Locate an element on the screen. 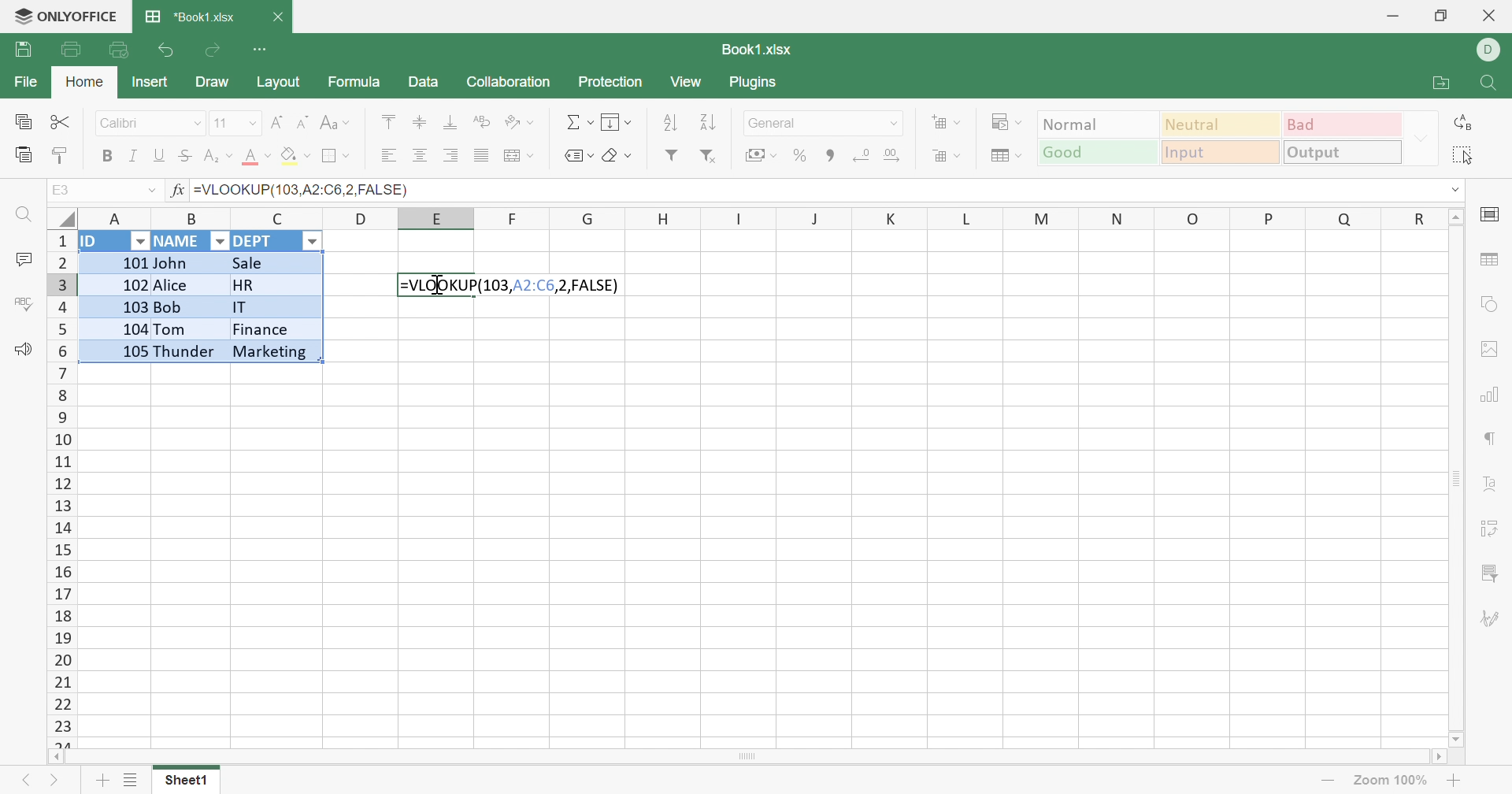  Check Spelling is located at coordinates (23, 302).